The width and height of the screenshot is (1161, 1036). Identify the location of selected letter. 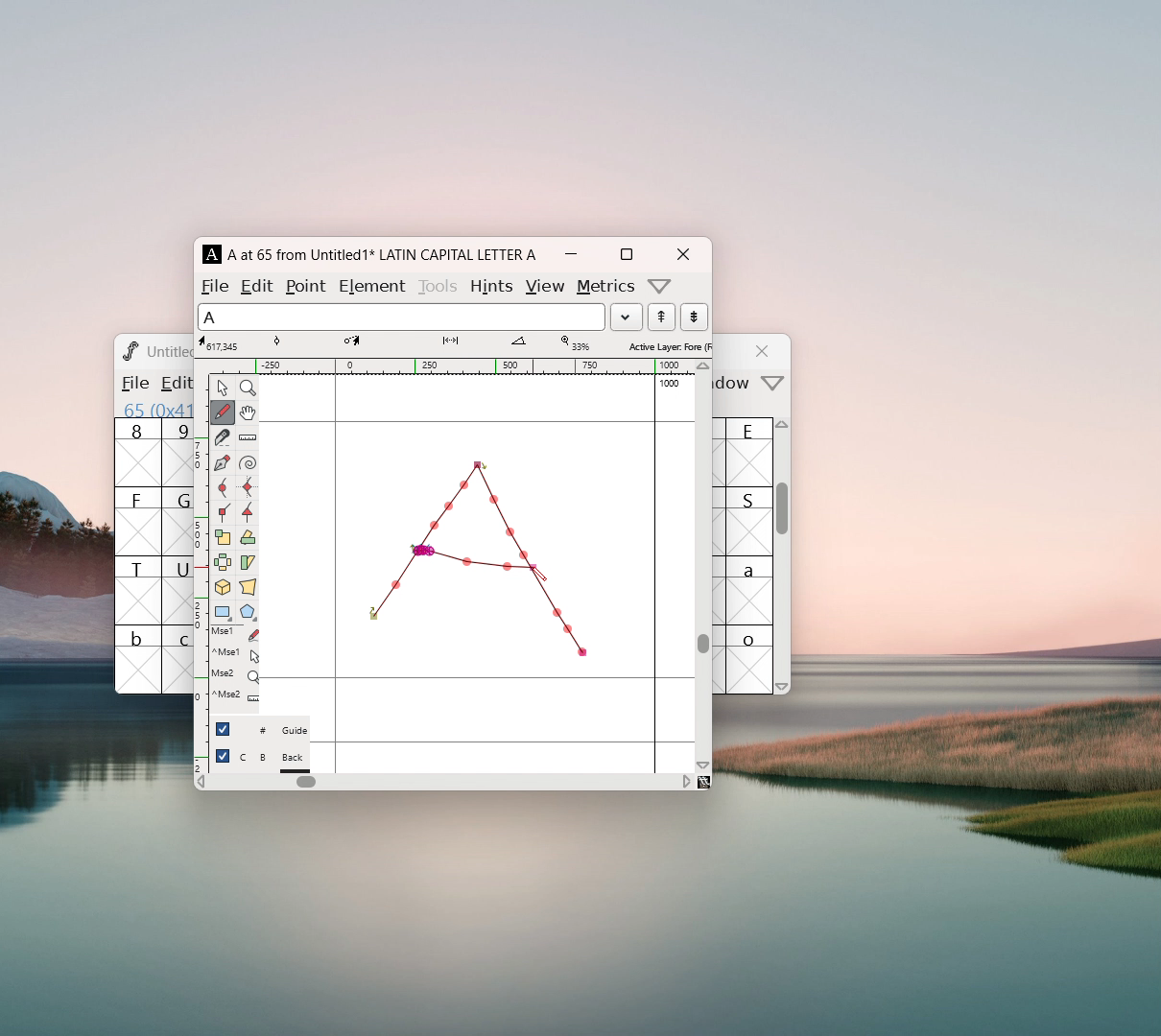
(401, 316).